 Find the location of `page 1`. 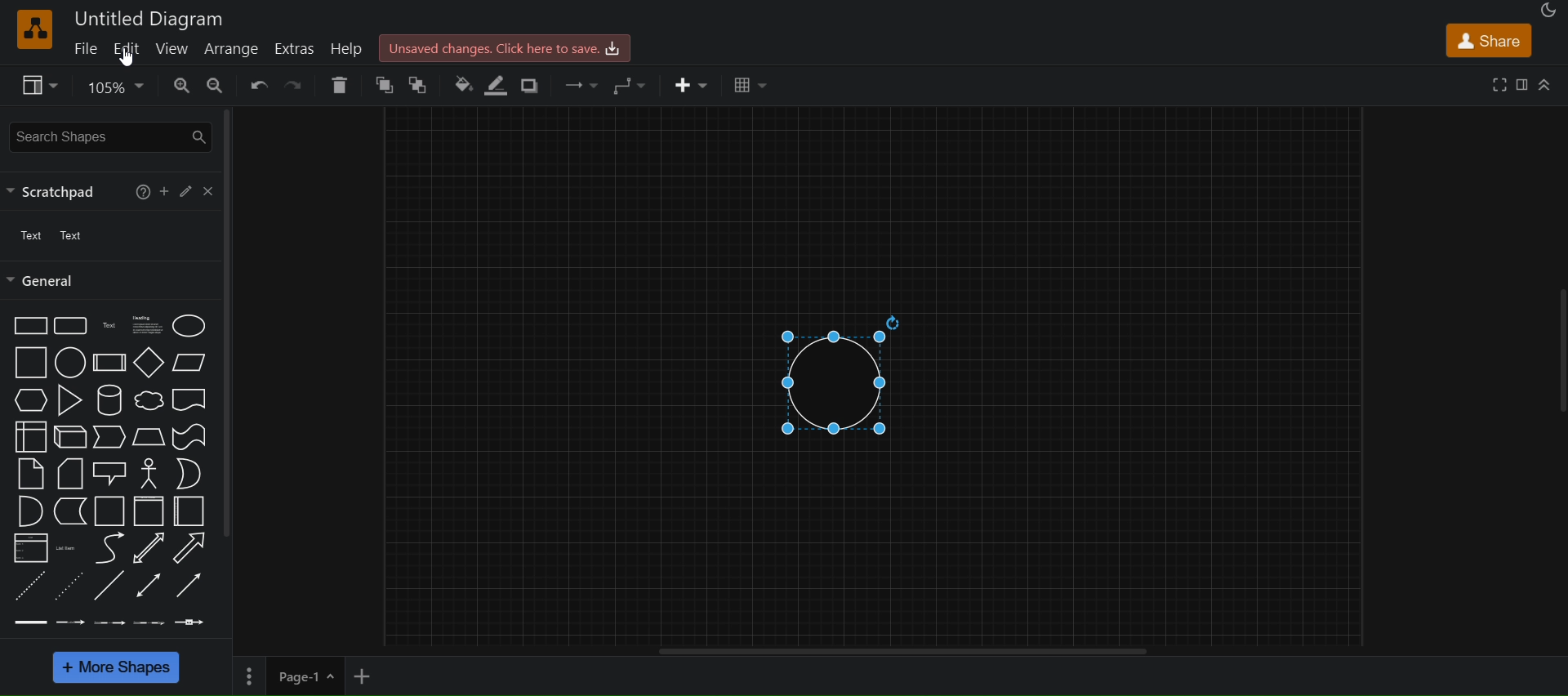

page 1 is located at coordinates (291, 676).